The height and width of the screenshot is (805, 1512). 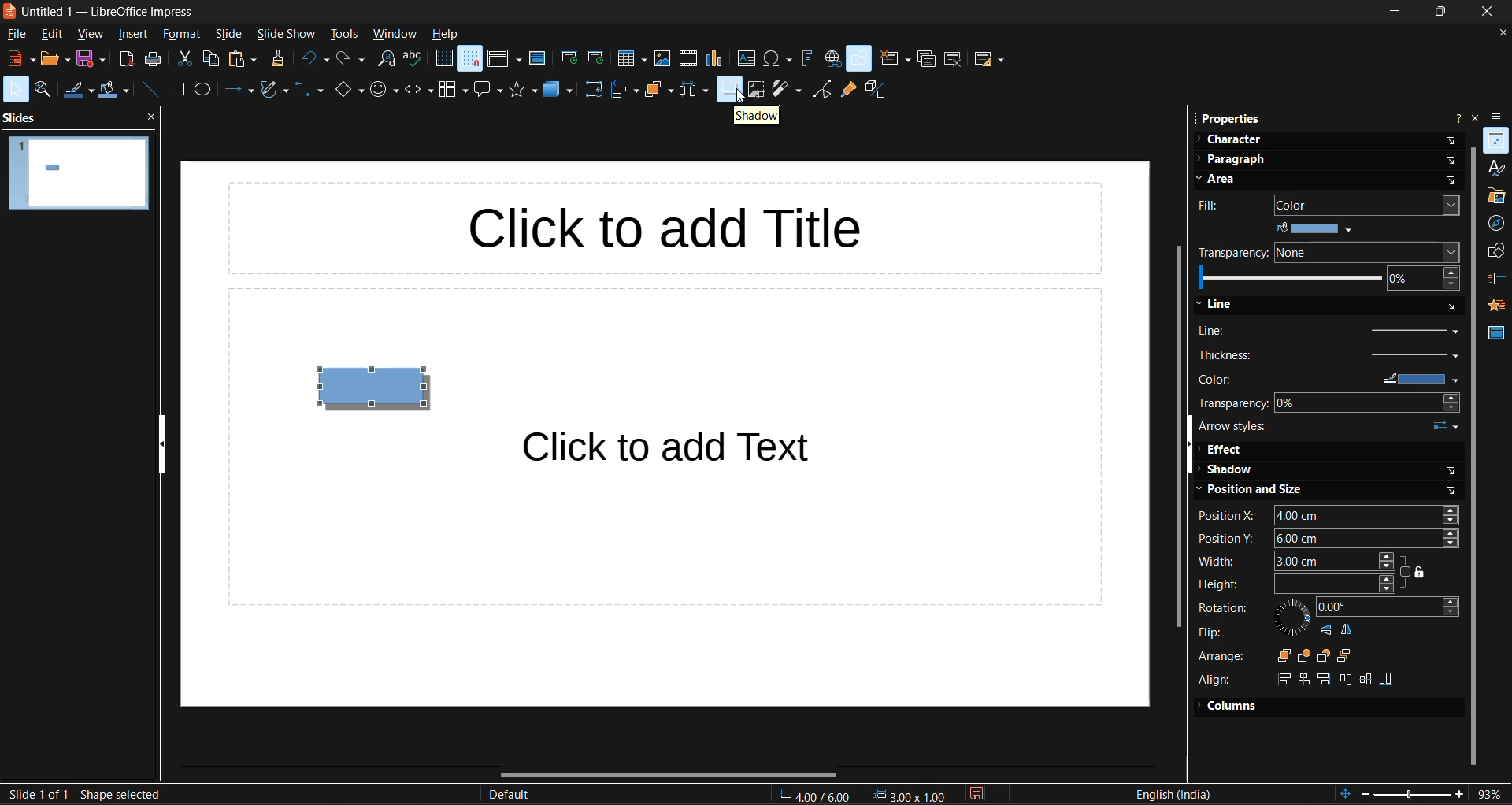 What do you see at coordinates (1279, 655) in the screenshot?
I see `bring to front` at bounding box center [1279, 655].